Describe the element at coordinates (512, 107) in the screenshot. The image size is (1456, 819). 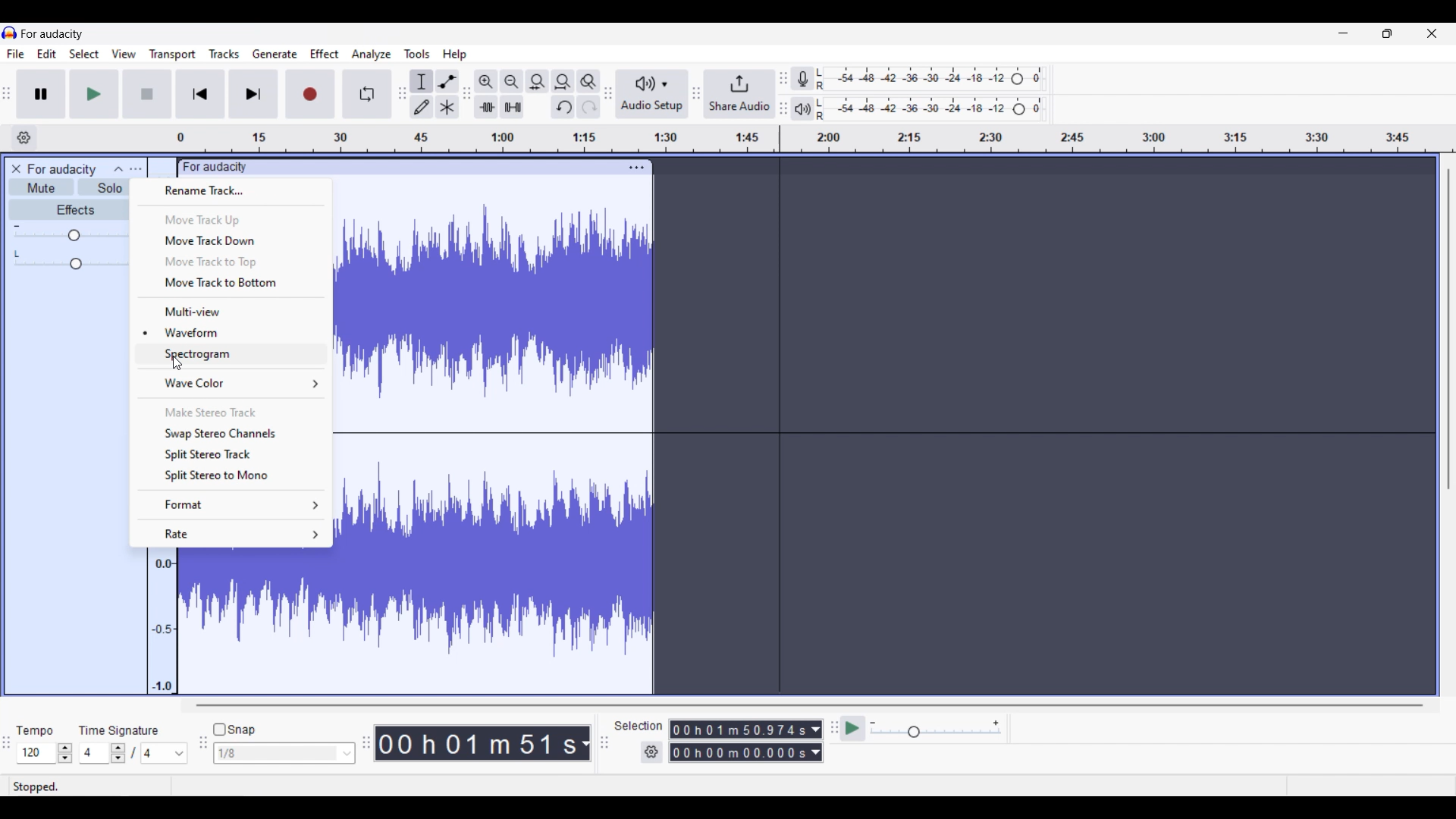
I see `Silence audio selection ` at that location.